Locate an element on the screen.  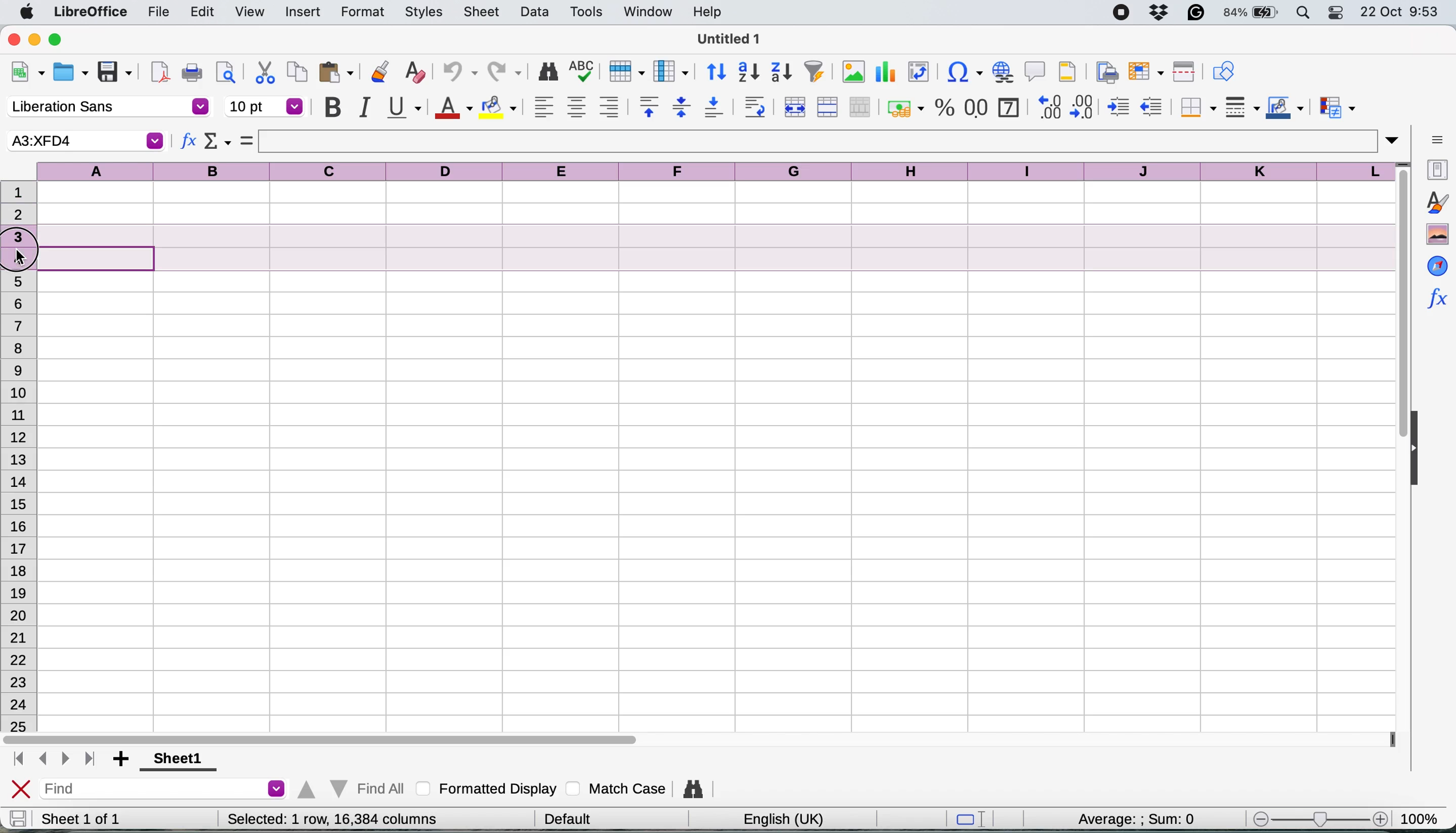
sort is located at coordinates (717, 70).